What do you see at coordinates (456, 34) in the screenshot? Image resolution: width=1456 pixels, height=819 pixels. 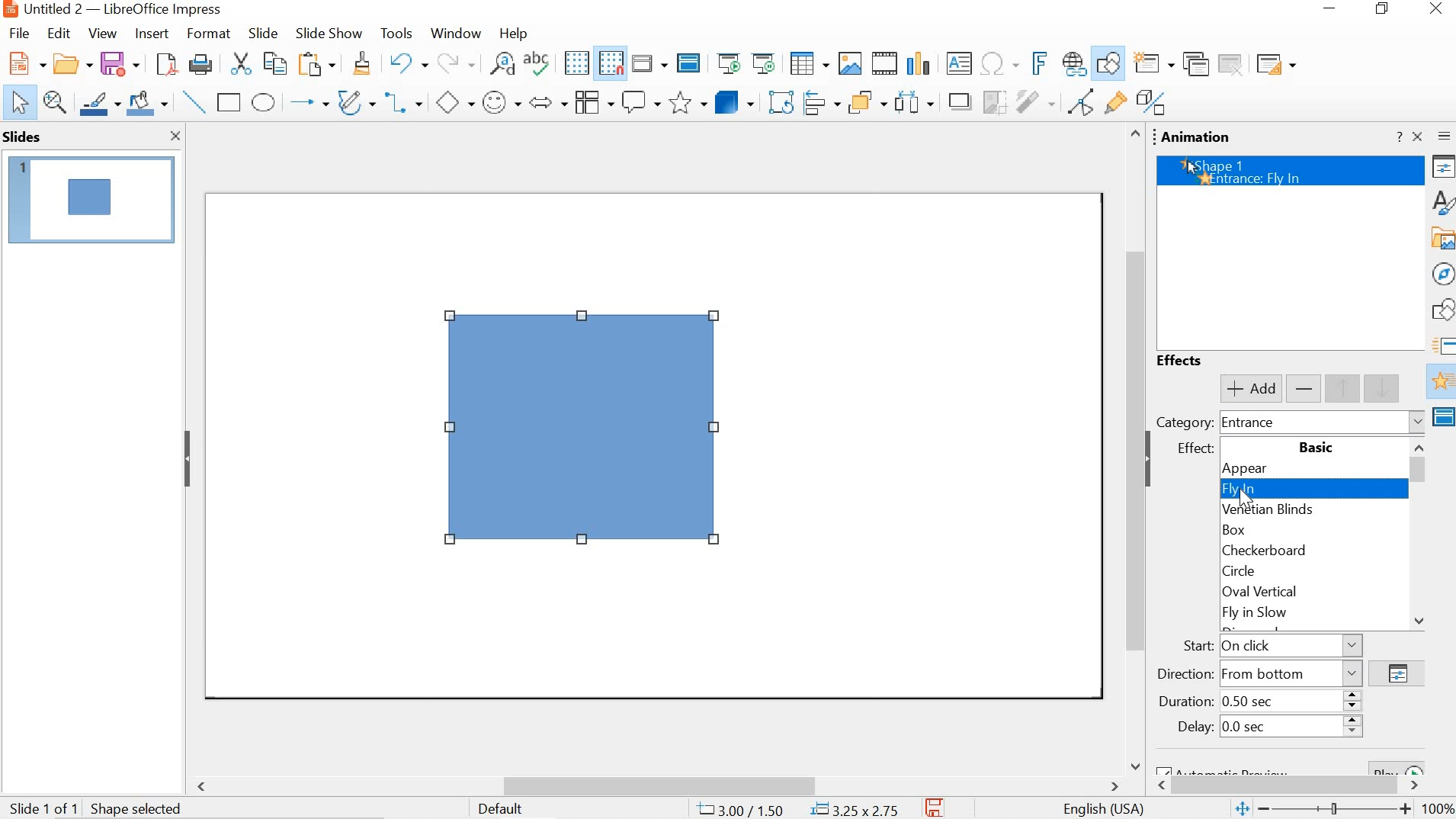 I see `window` at bounding box center [456, 34].